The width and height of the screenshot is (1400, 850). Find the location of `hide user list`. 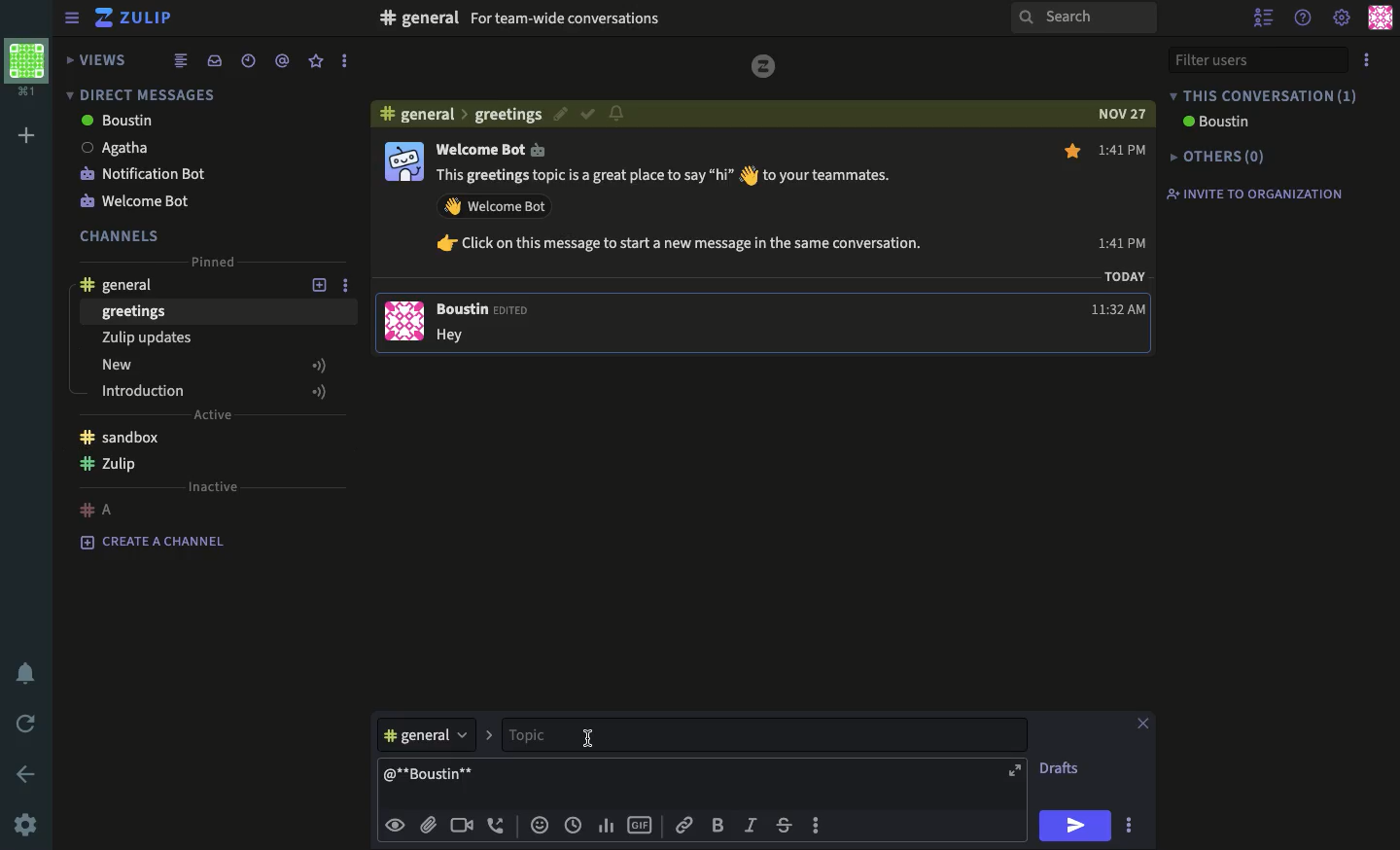

hide user list is located at coordinates (1264, 15).